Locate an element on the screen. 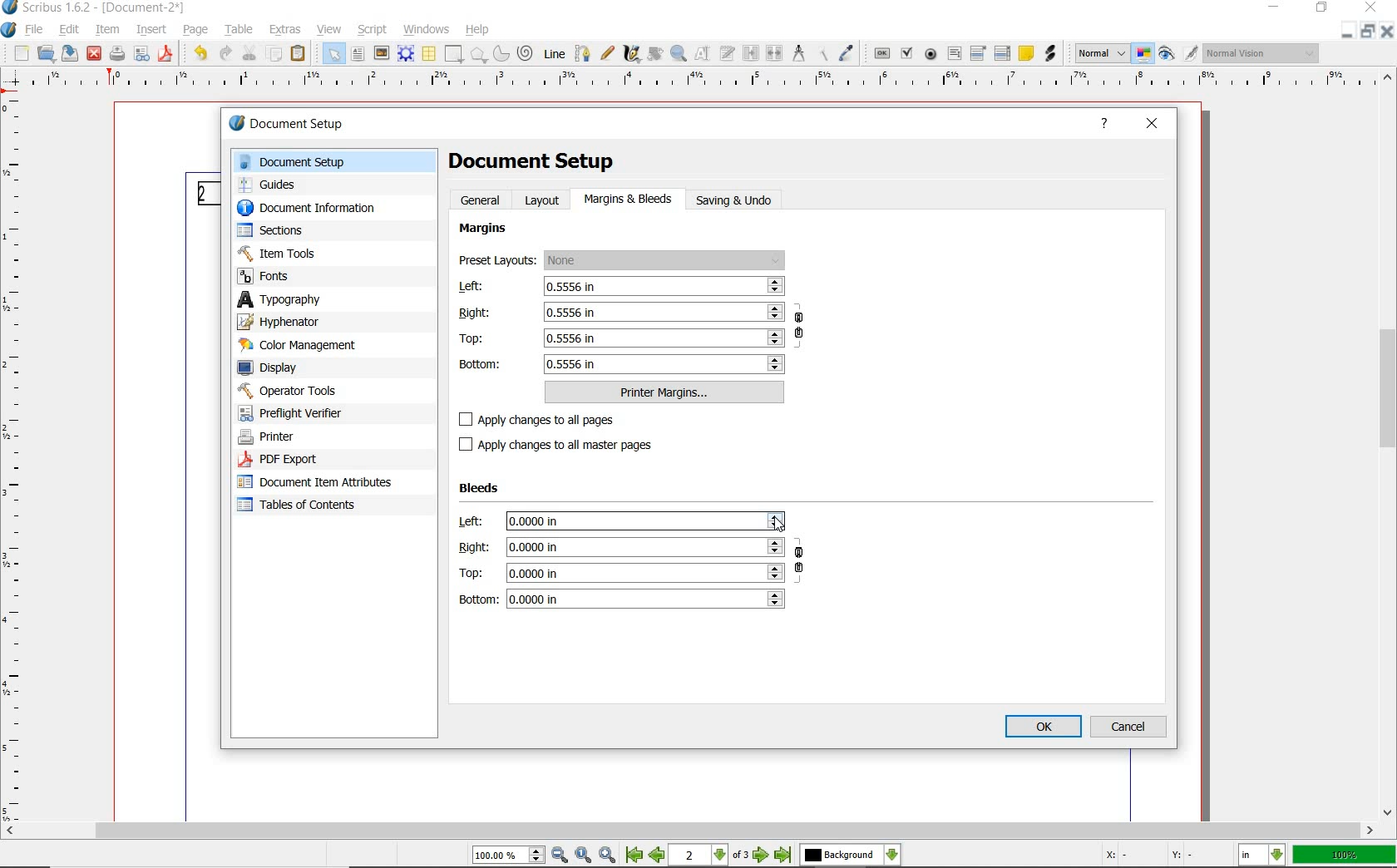  line is located at coordinates (555, 53).